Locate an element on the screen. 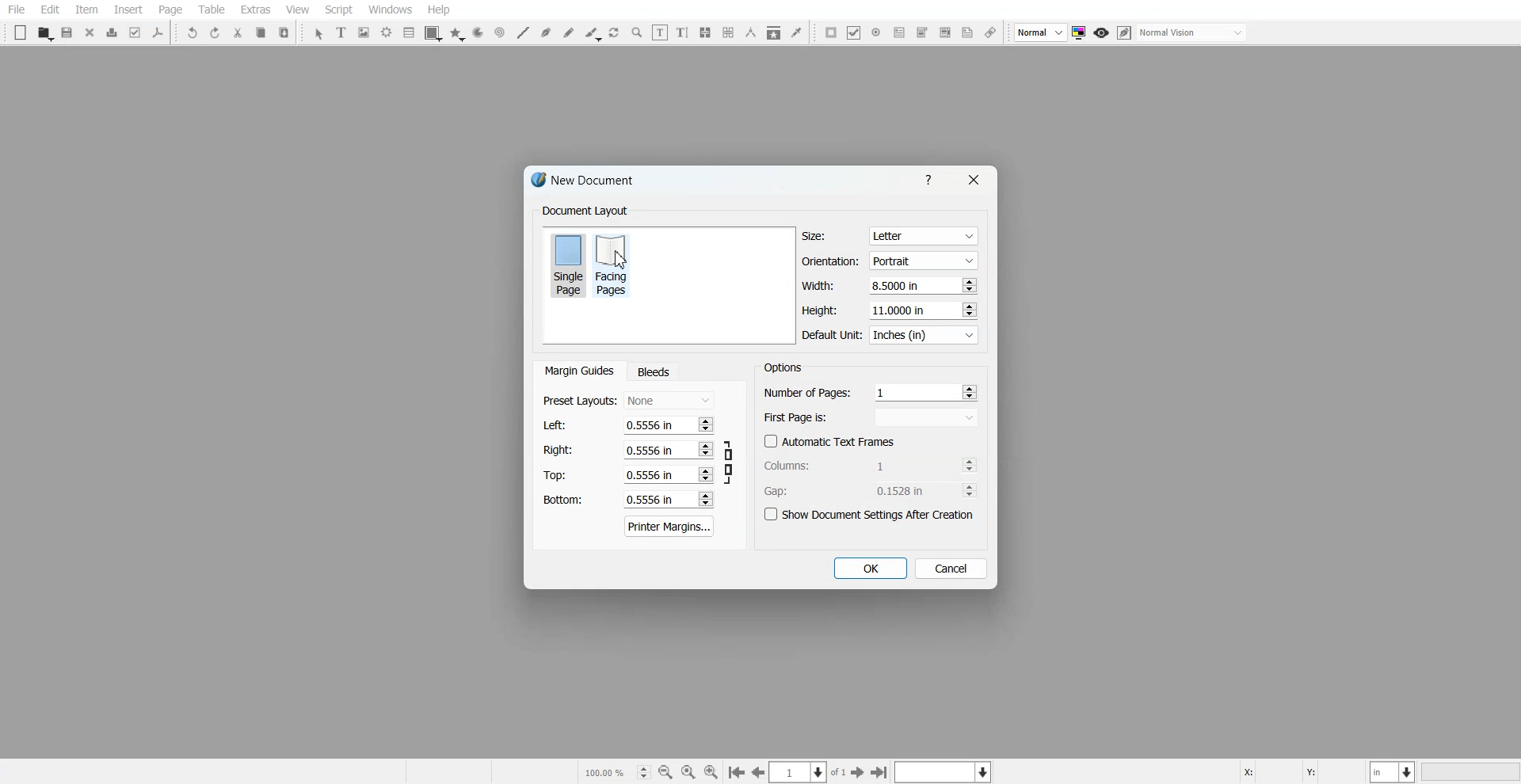 Image resolution: width=1521 pixels, height=784 pixels. PDF Push button is located at coordinates (831, 32).